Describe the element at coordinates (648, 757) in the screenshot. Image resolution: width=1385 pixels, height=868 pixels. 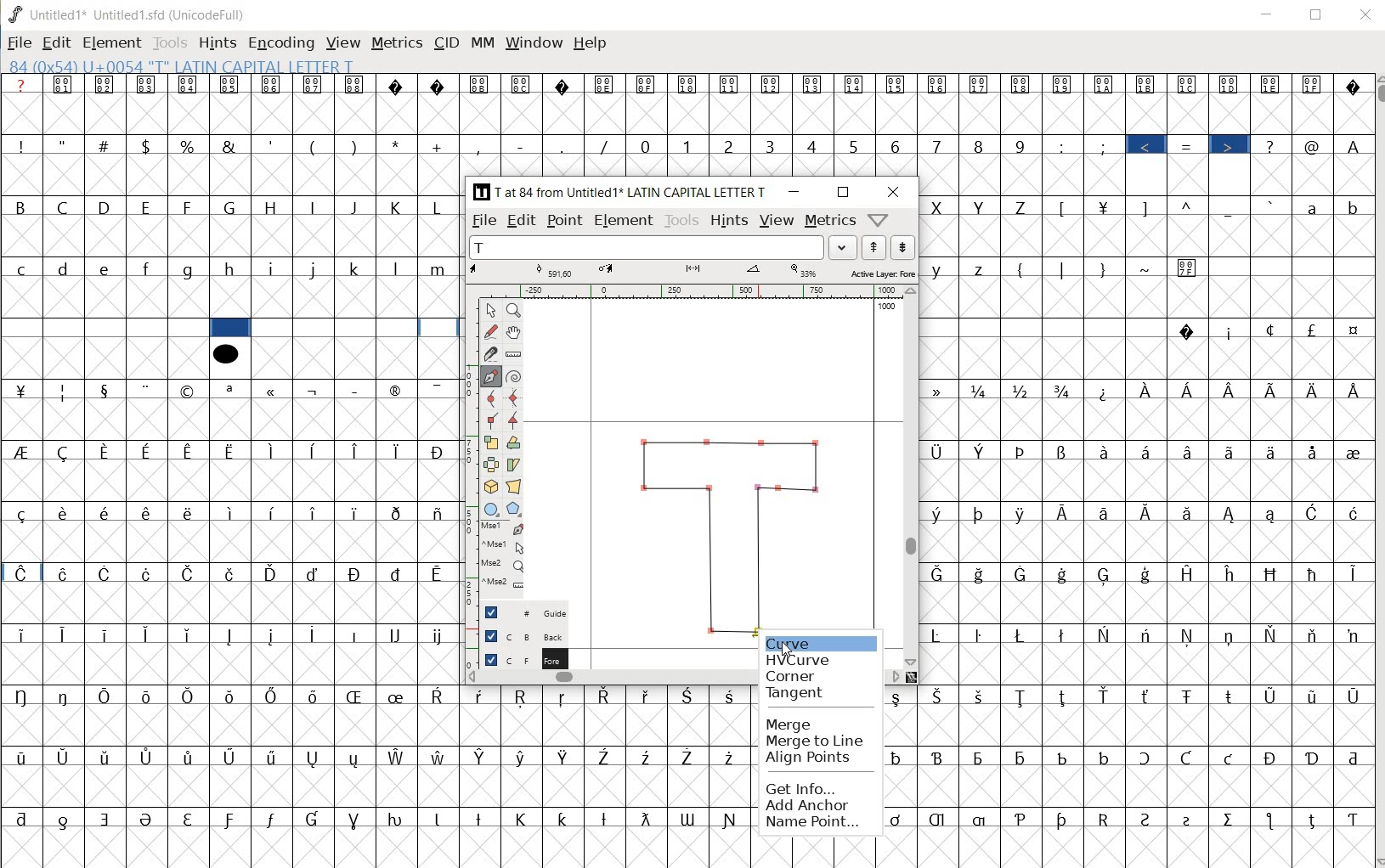
I see `Symbol` at that location.